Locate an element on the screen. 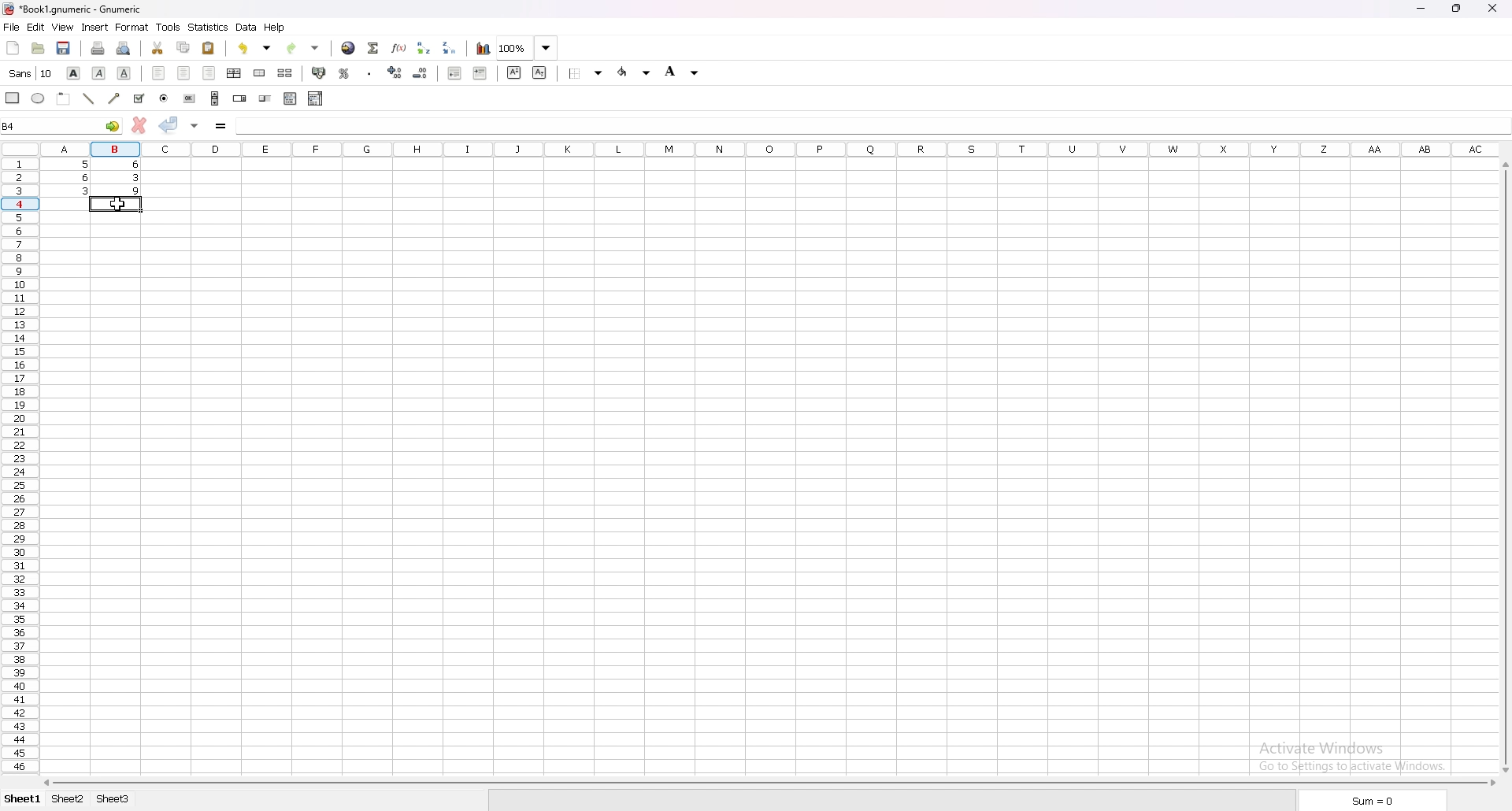  italic is located at coordinates (98, 74).